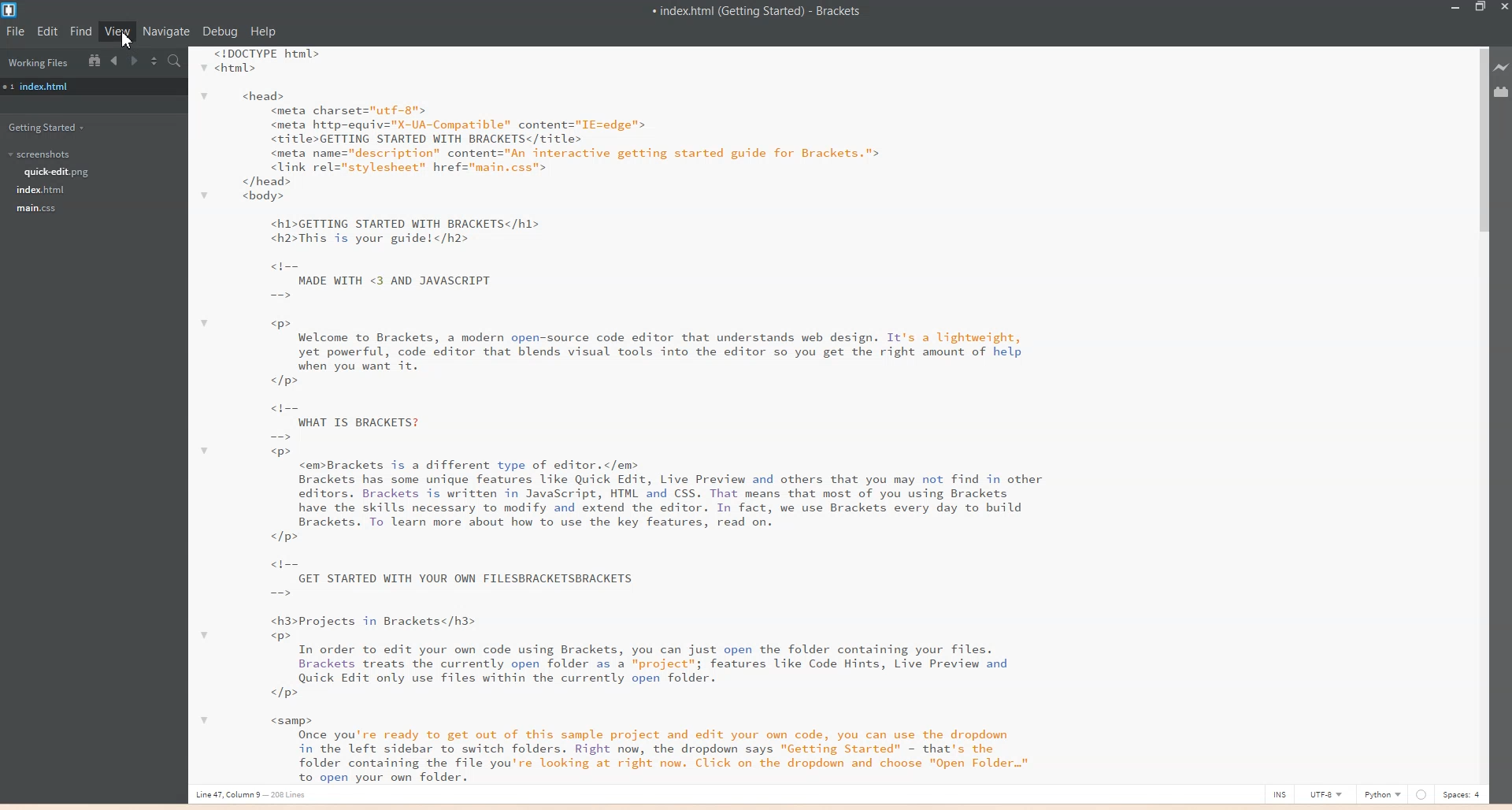 This screenshot has height=810, width=1512. Describe the element at coordinates (52, 128) in the screenshot. I see `Getting Started` at that location.